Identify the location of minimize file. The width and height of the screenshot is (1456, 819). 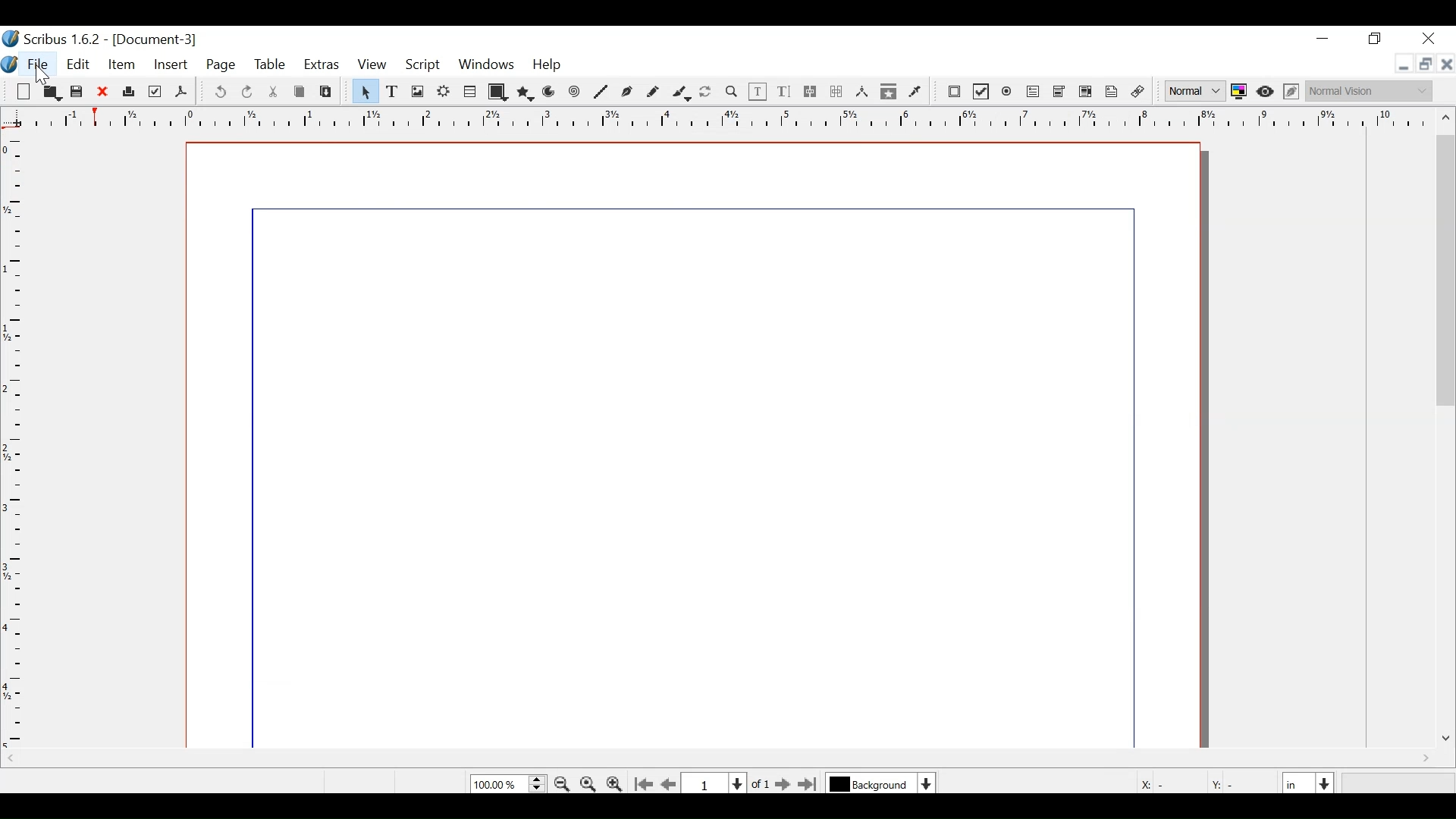
(1401, 64).